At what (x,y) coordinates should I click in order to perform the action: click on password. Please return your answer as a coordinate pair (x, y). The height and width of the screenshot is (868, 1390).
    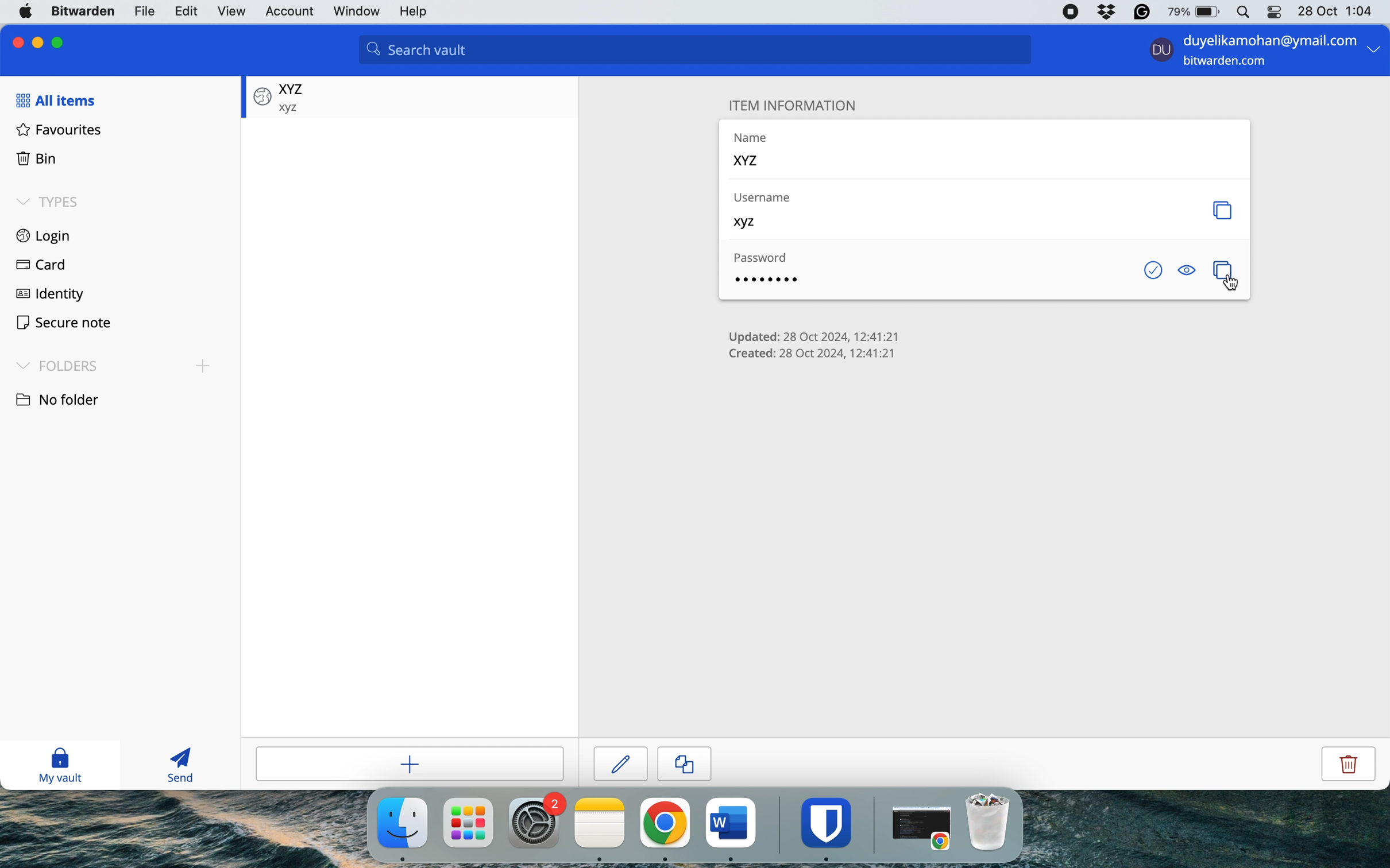
    Looking at the image, I should click on (766, 271).